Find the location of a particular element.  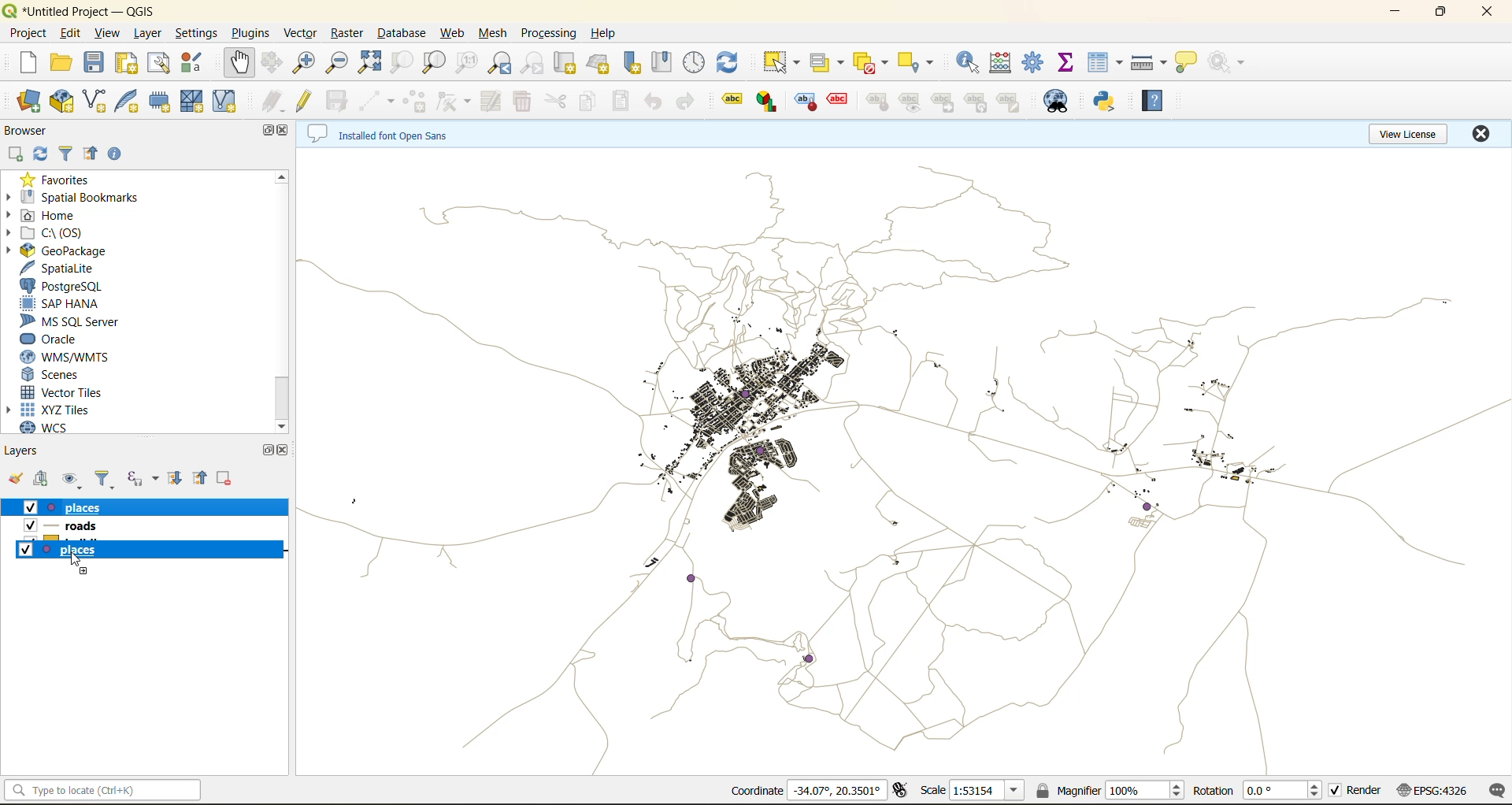

zoom full is located at coordinates (369, 65).